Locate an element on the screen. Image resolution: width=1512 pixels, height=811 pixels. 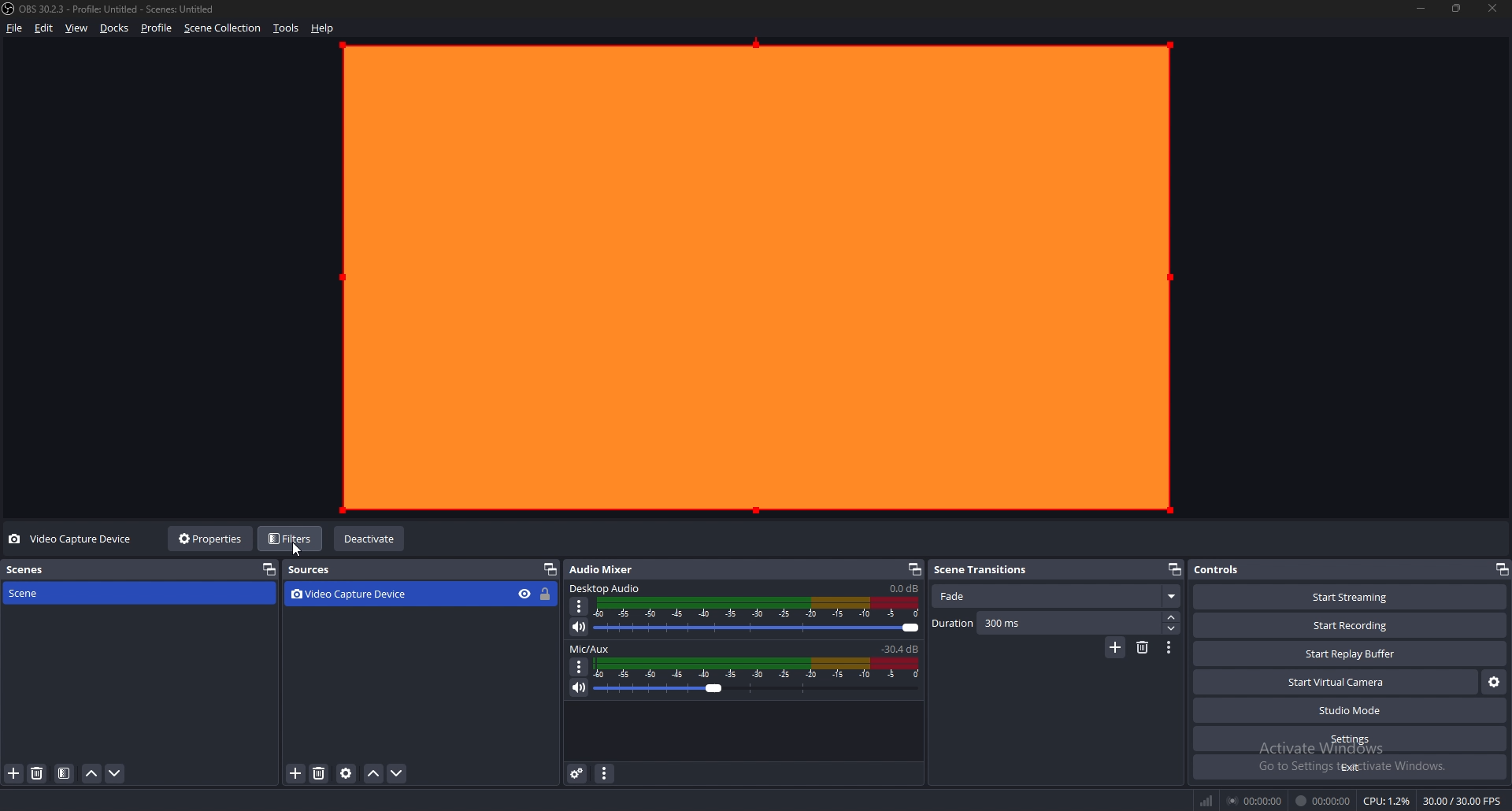
popout is located at coordinates (1174, 571).